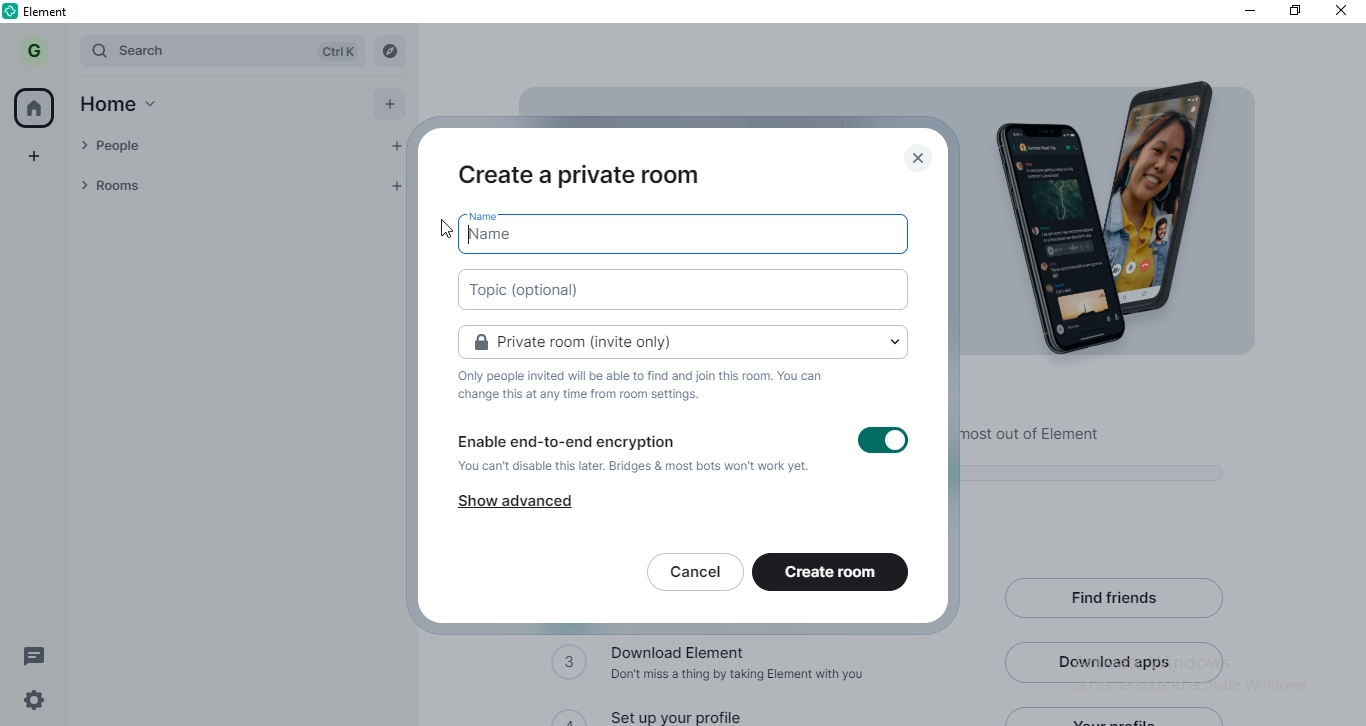 This screenshot has width=1366, height=726. I want to click on Enable end to end encryption, so click(682, 457).